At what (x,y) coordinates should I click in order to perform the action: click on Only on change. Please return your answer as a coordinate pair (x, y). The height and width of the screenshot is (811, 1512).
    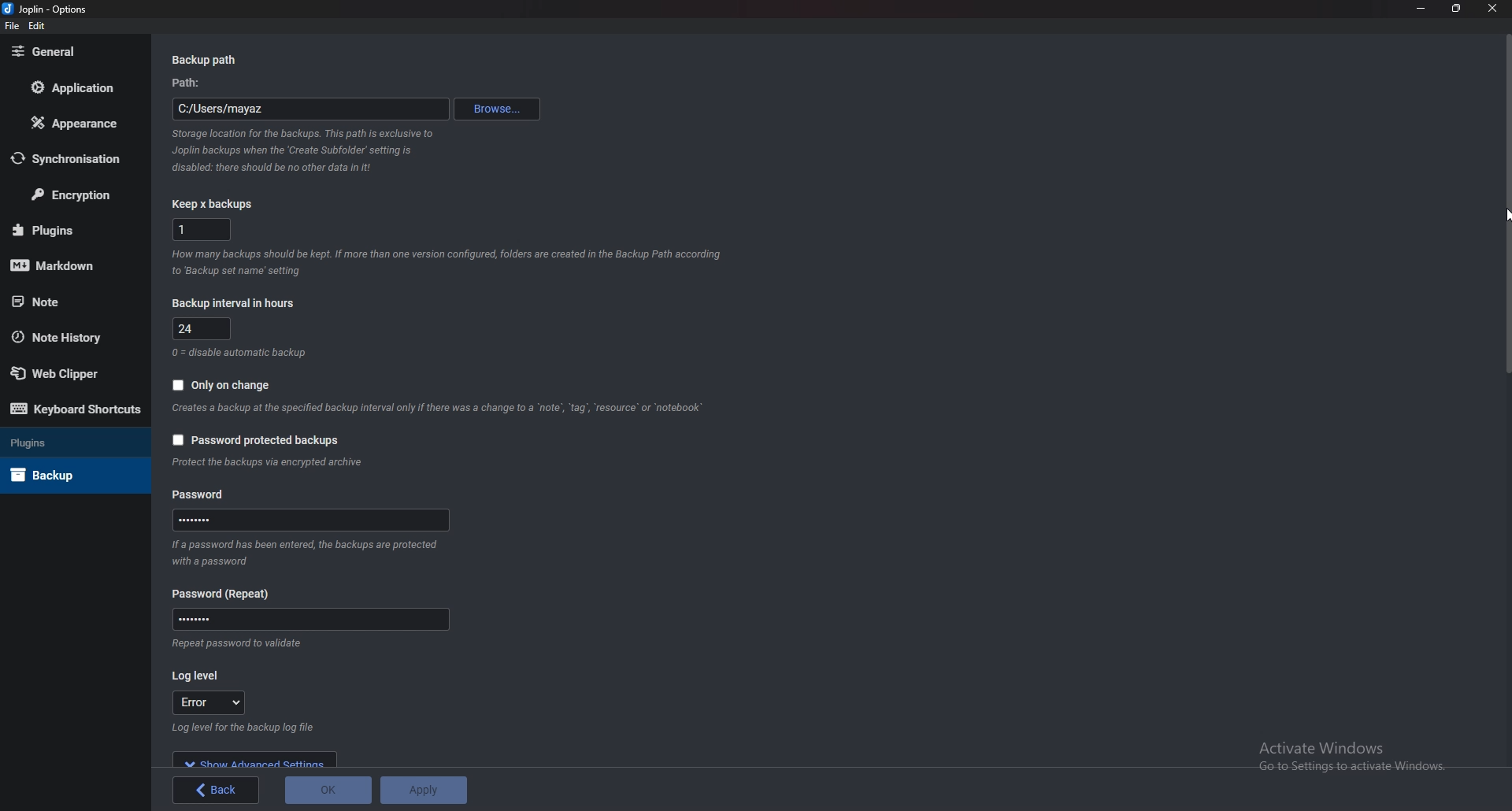
    Looking at the image, I should click on (222, 385).